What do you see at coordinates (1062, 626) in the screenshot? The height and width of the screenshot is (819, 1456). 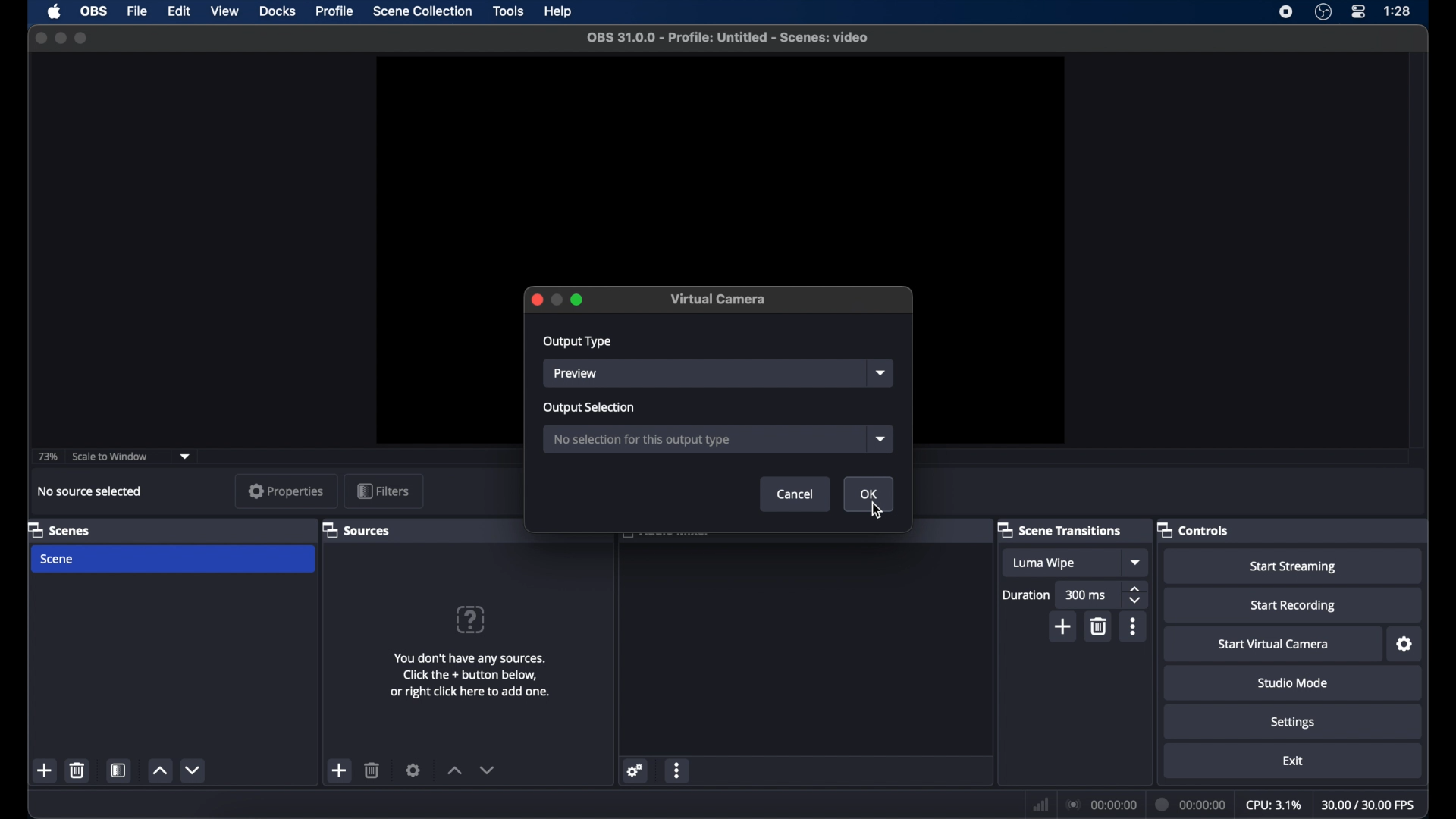 I see `add` at bounding box center [1062, 626].